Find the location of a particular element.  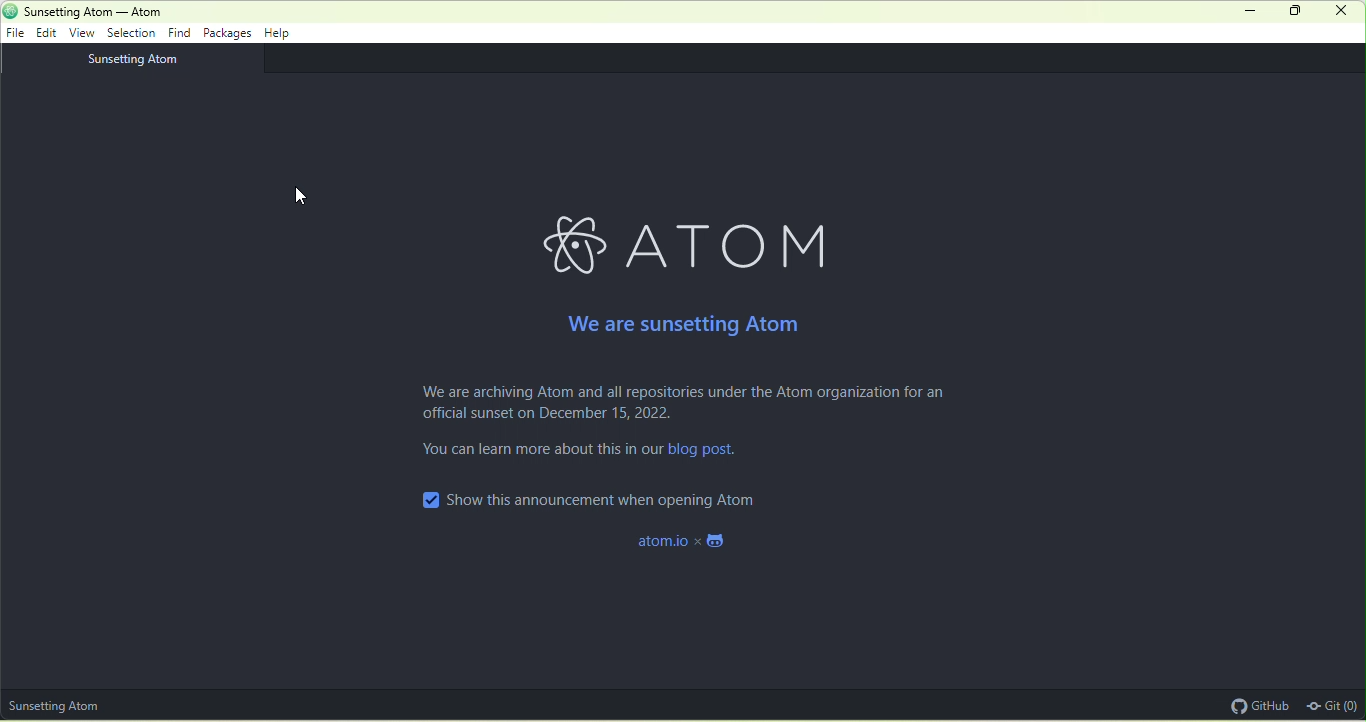

minimize is located at coordinates (1247, 12).